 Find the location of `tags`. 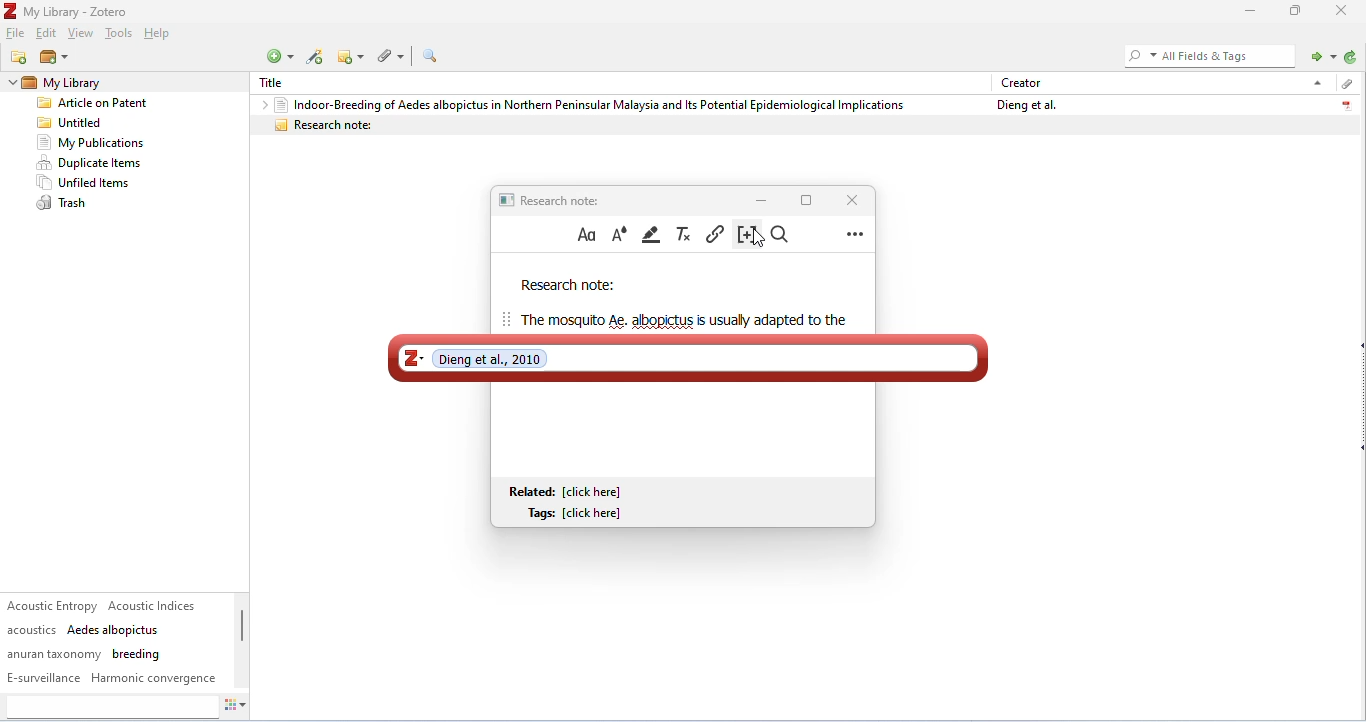

tags is located at coordinates (579, 514).